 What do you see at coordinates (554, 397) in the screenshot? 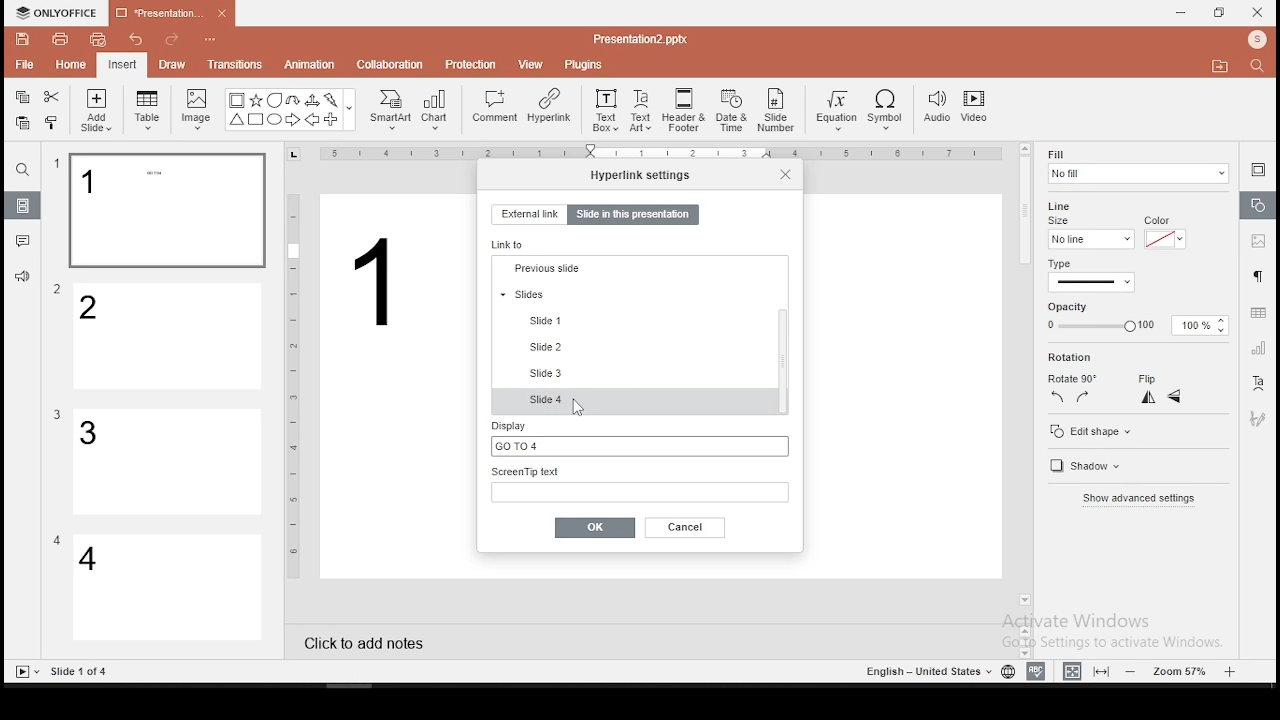
I see ` slide 1` at bounding box center [554, 397].